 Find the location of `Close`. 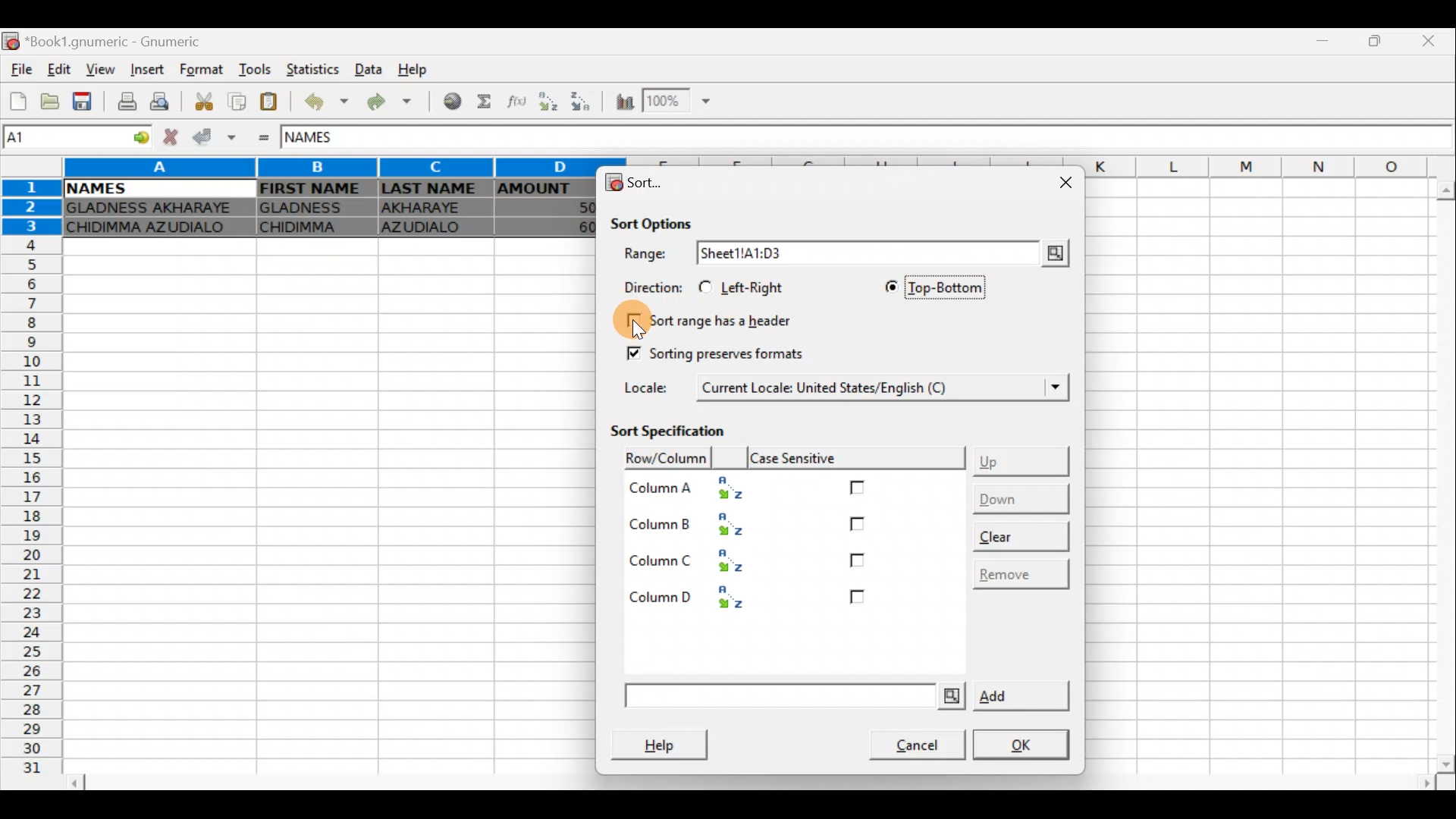

Close is located at coordinates (1434, 41).